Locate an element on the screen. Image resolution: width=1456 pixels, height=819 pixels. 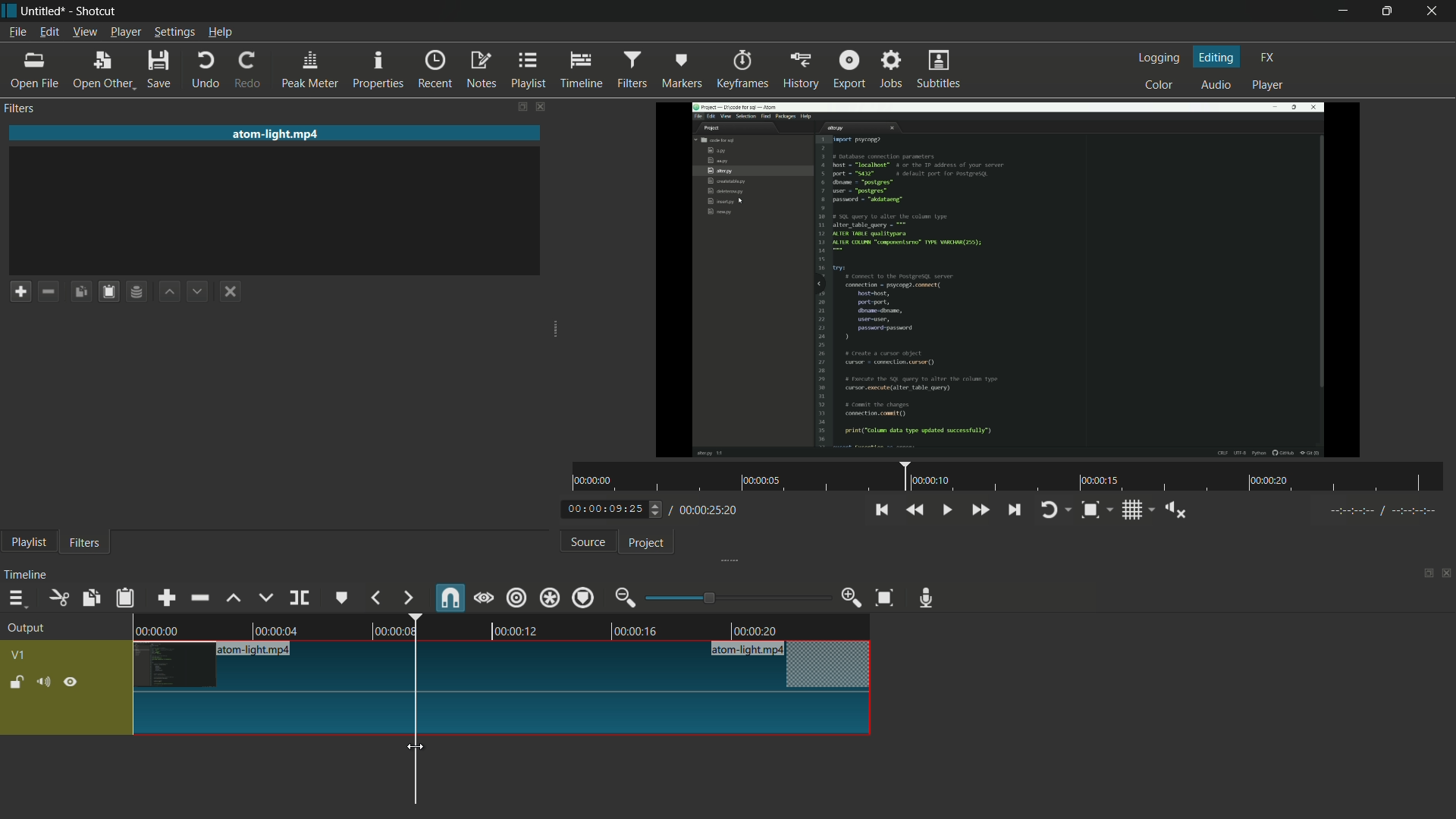
toggle player looping is located at coordinates (1056, 510).